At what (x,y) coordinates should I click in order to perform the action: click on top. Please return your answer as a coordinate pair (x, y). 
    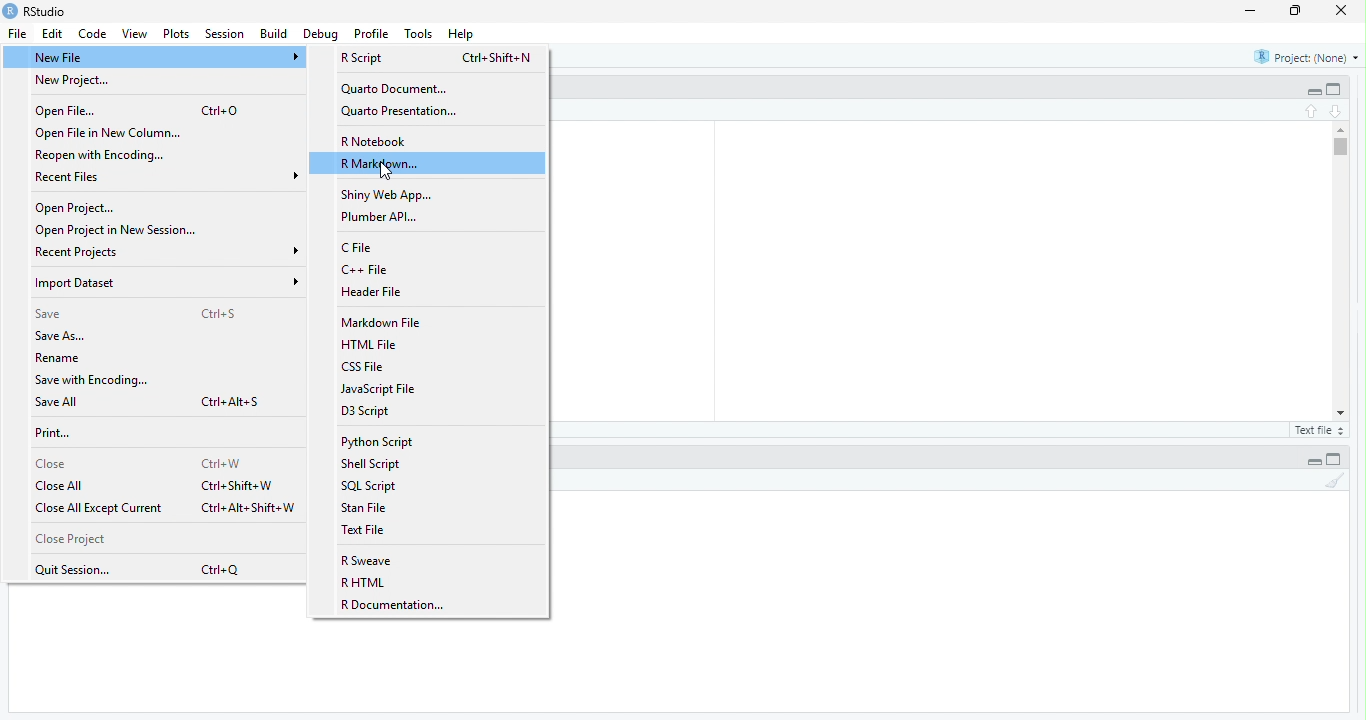
    Looking at the image, I should click on (1313, 111).